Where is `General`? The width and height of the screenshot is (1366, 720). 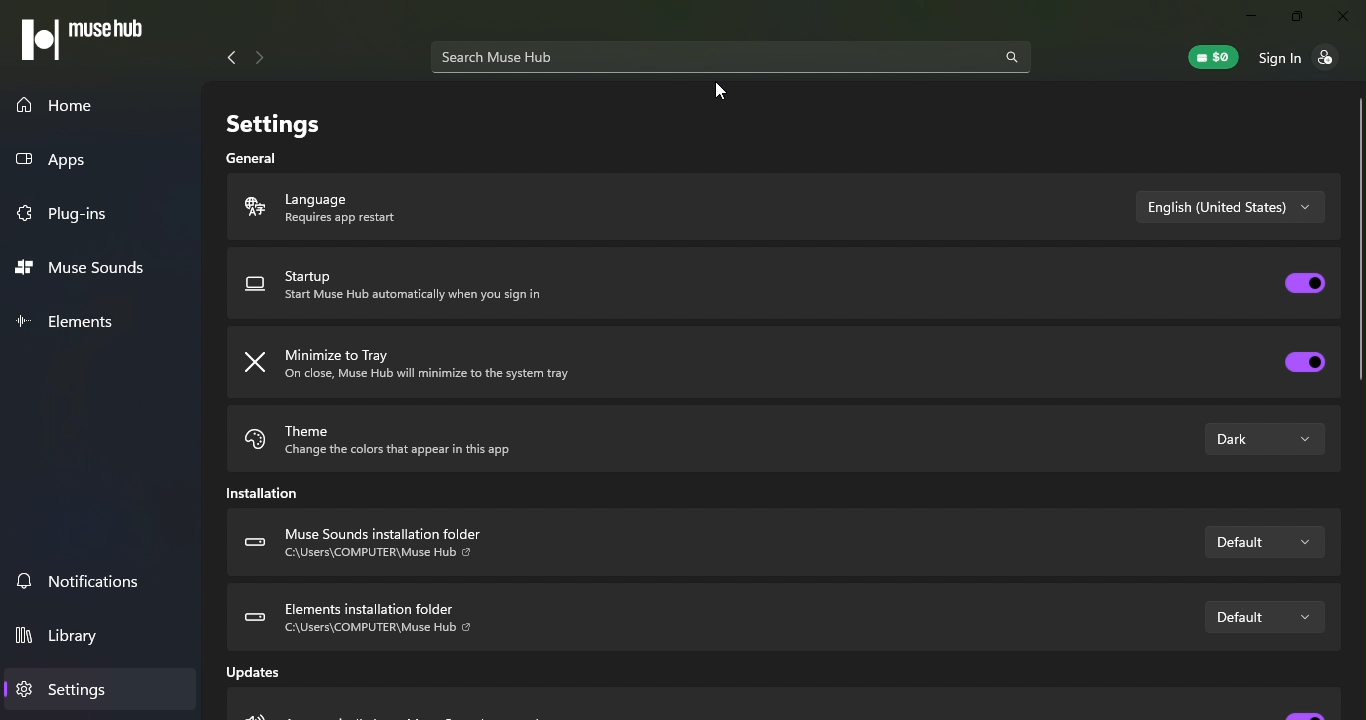
General is located at coordinates (257, 158).